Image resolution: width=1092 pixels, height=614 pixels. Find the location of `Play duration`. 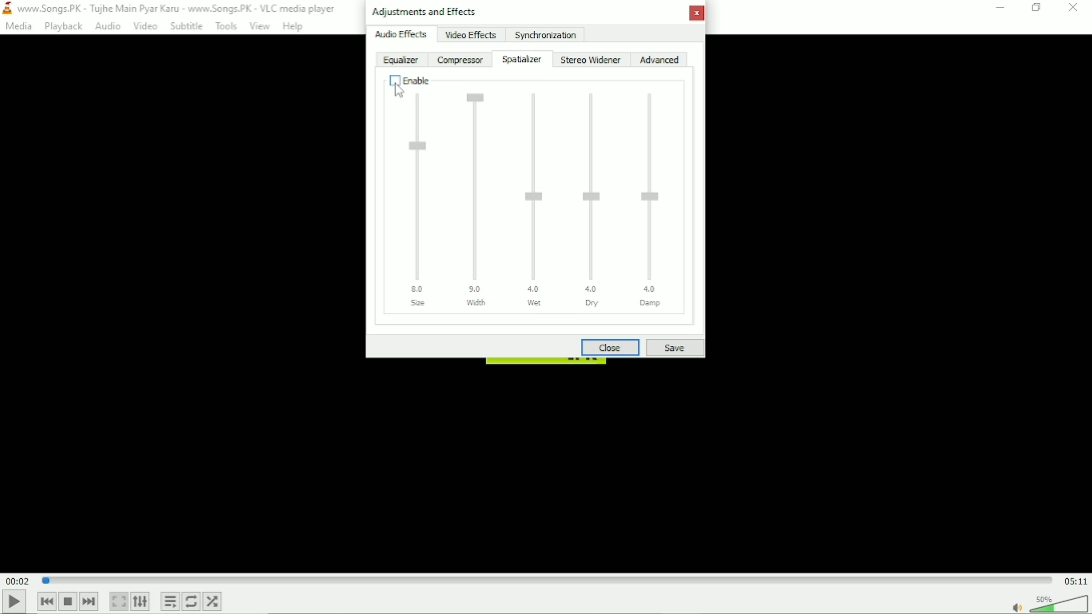

Play duration is located at coordinates (547, 580).